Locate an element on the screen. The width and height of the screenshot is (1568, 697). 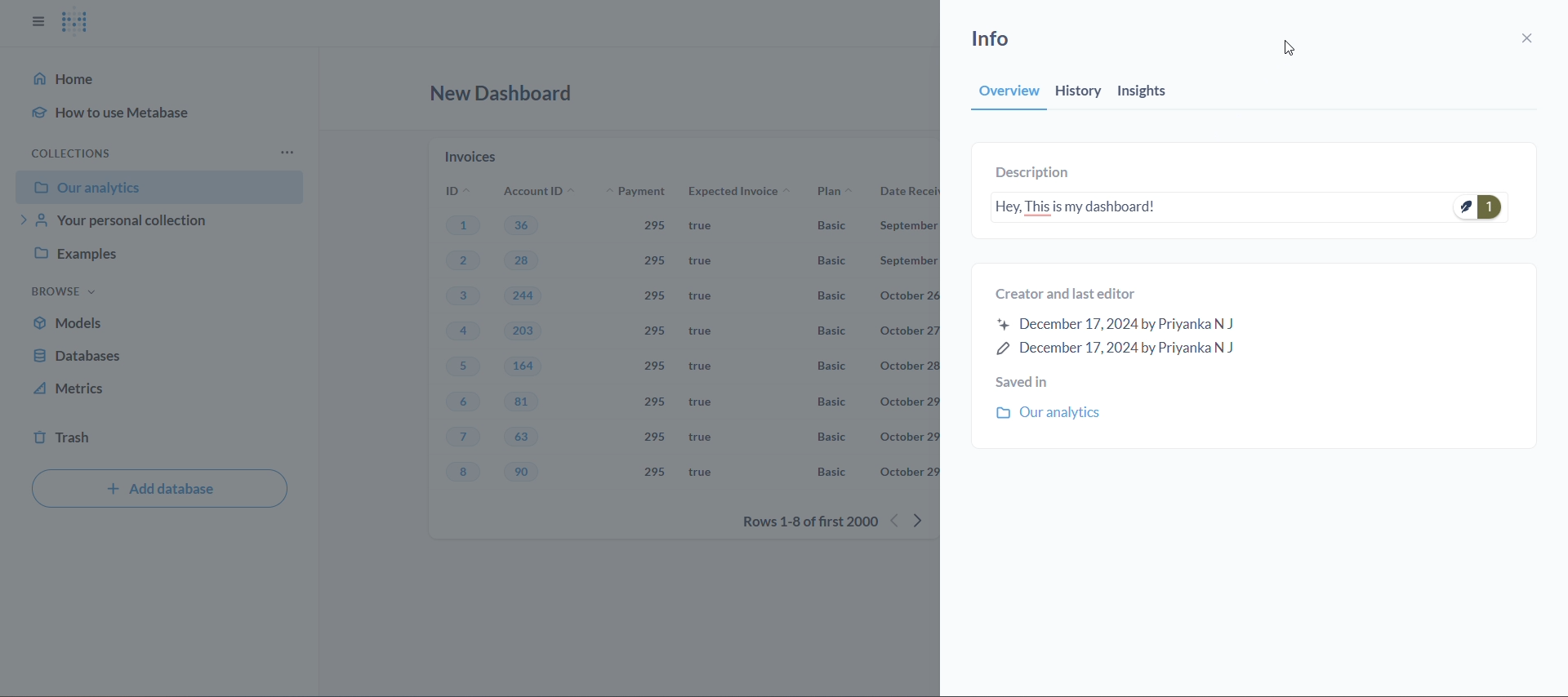
close is located at coordinates (1531, 36).